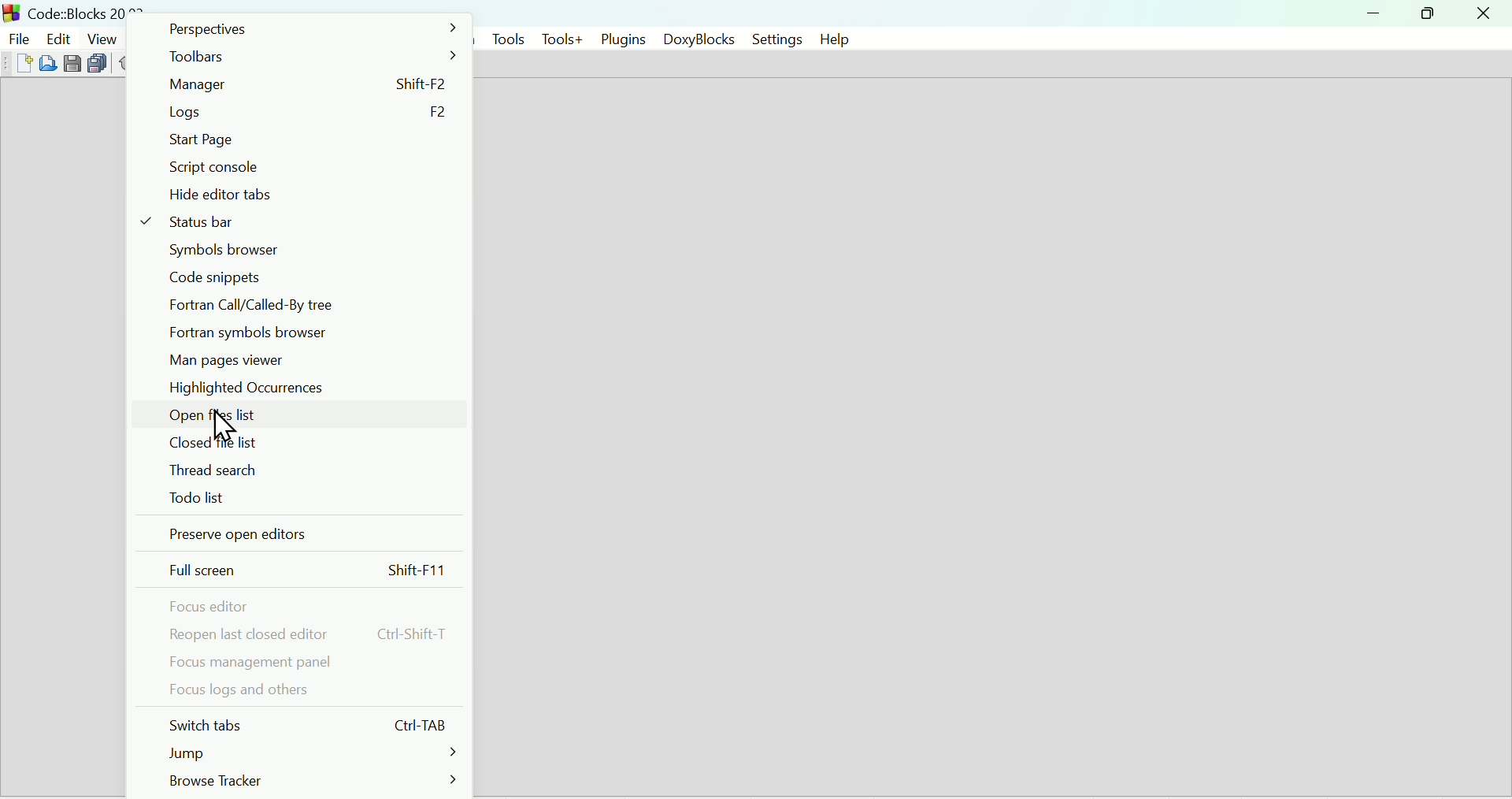 Image resolution: width=1512 pixels, height=799 pixels. What do you see at coordinates (99, 65) in the screenshot?
I see `Save everything` at bounding box center [99, 65].